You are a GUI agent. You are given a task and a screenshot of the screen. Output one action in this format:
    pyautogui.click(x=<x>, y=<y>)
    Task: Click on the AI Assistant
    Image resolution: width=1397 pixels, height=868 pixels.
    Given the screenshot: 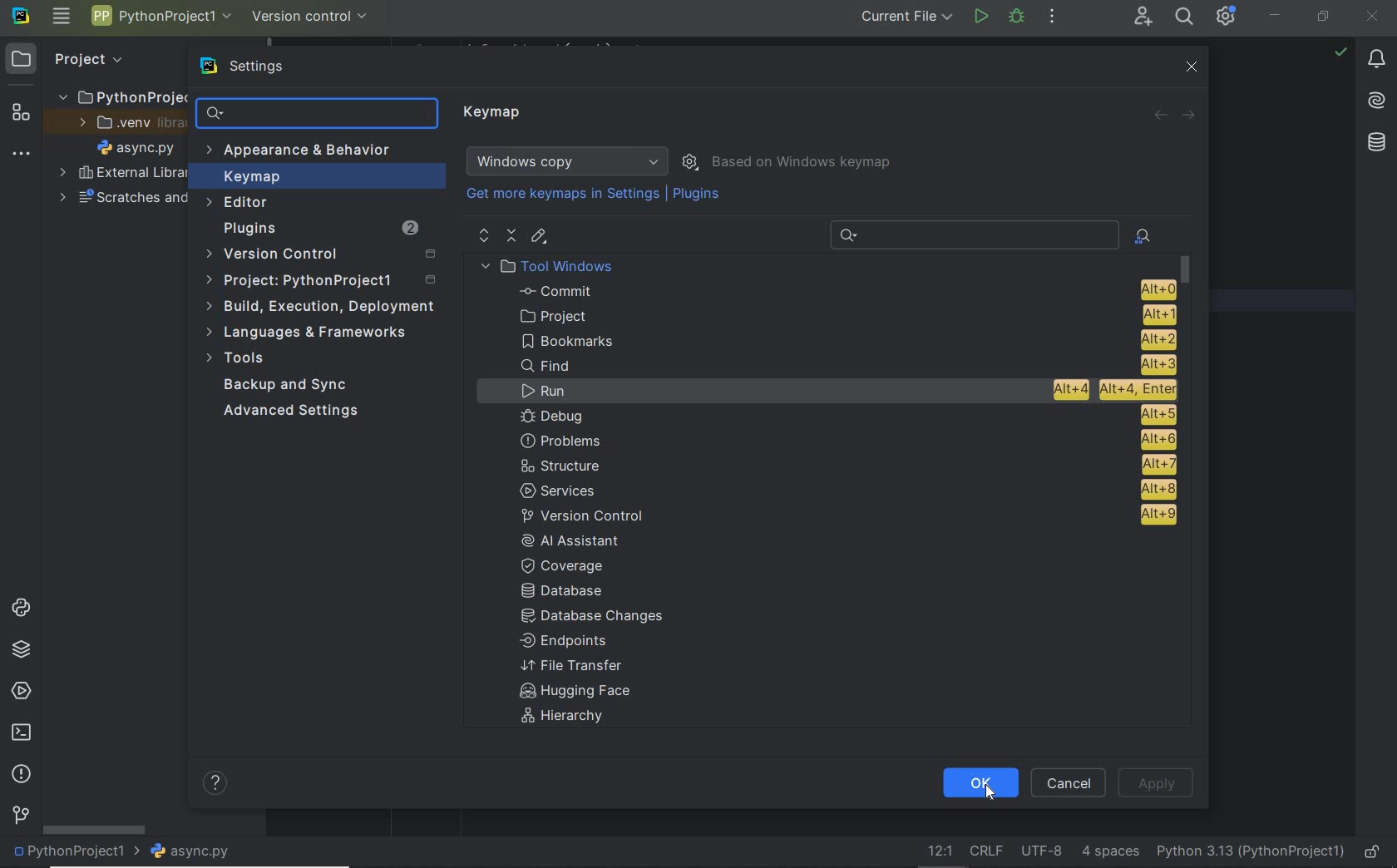 What is the action you would take?
    pyautogui.click(x=1378, y=102)
    